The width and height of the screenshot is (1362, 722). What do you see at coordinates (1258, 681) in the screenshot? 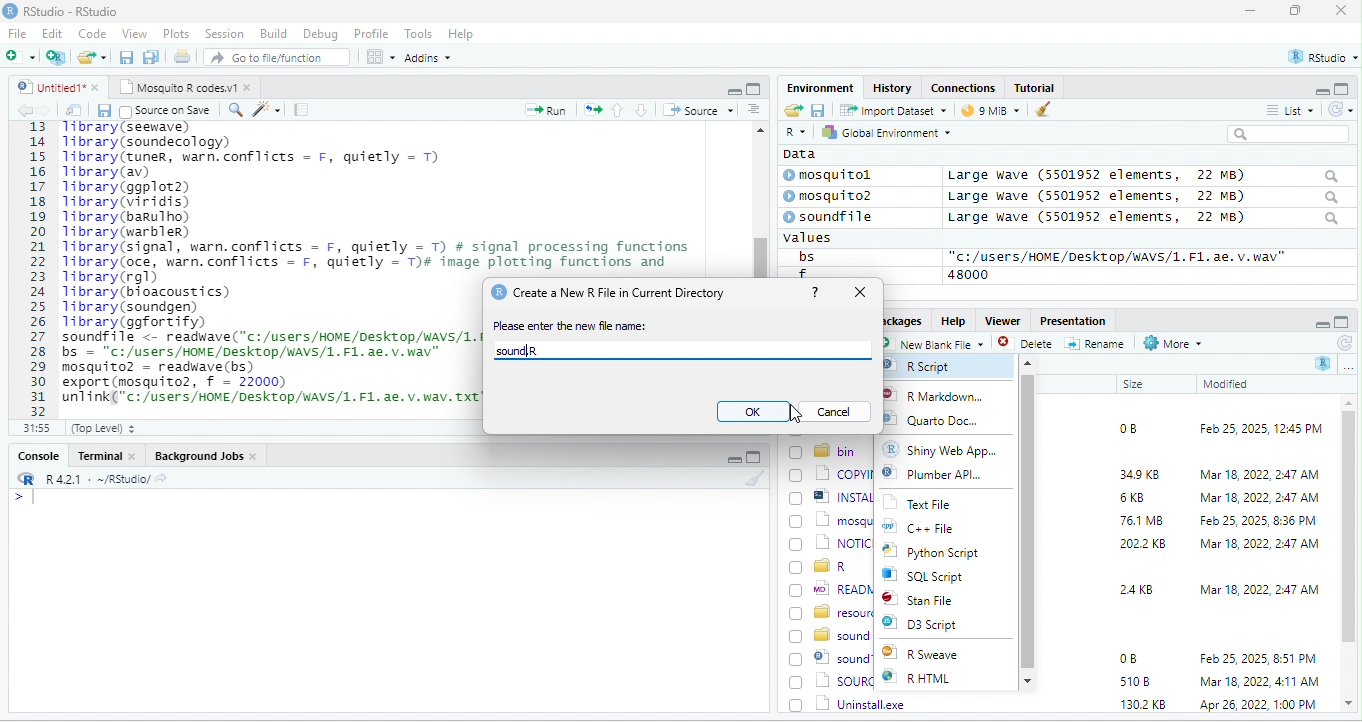
I see `Mar 18, 2022, 4:11 AM` at bounding box center [1258, 681].